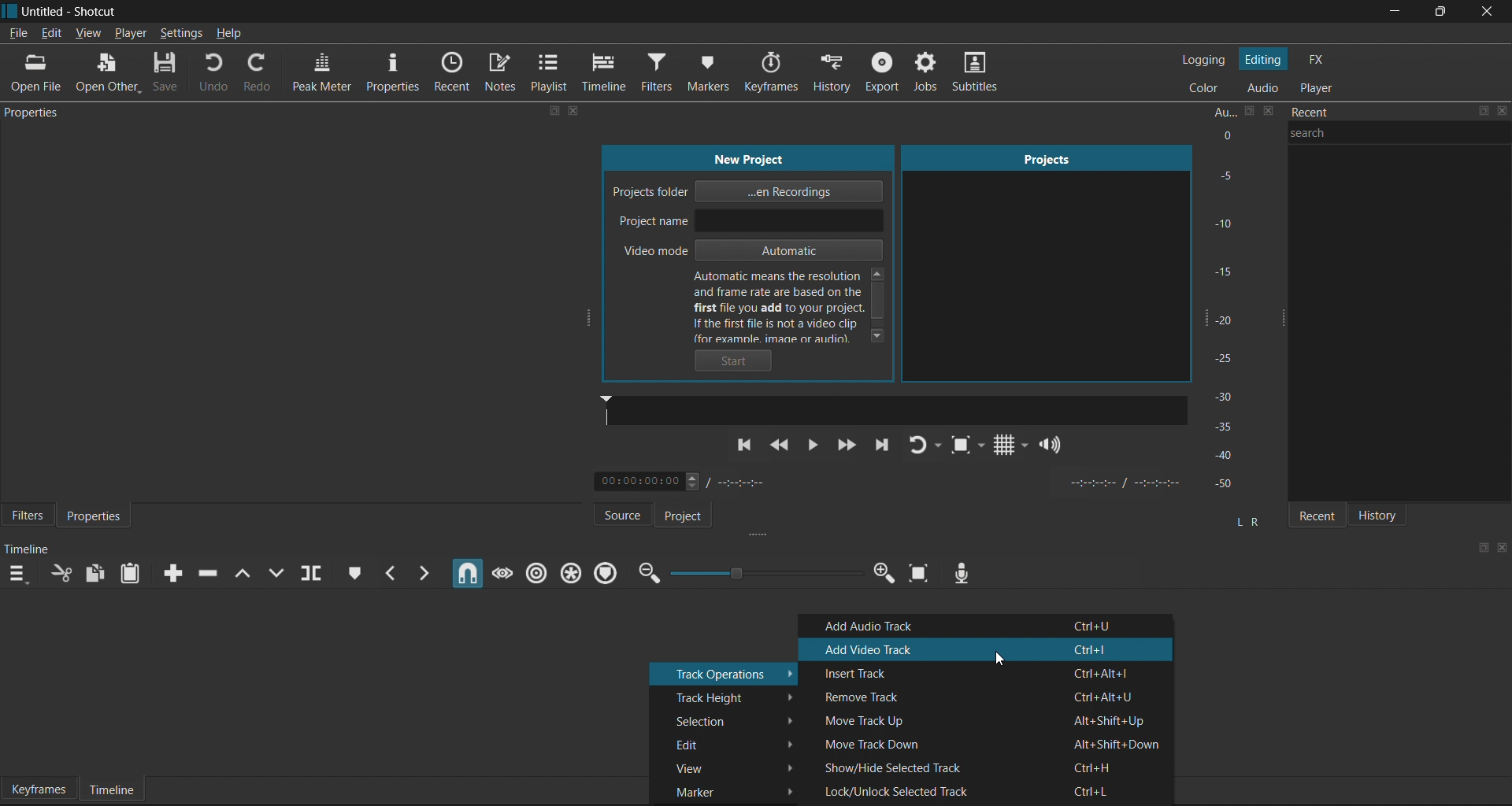 The image size is (1512, 806). I want to click on Overwrite, so click(283, 572).